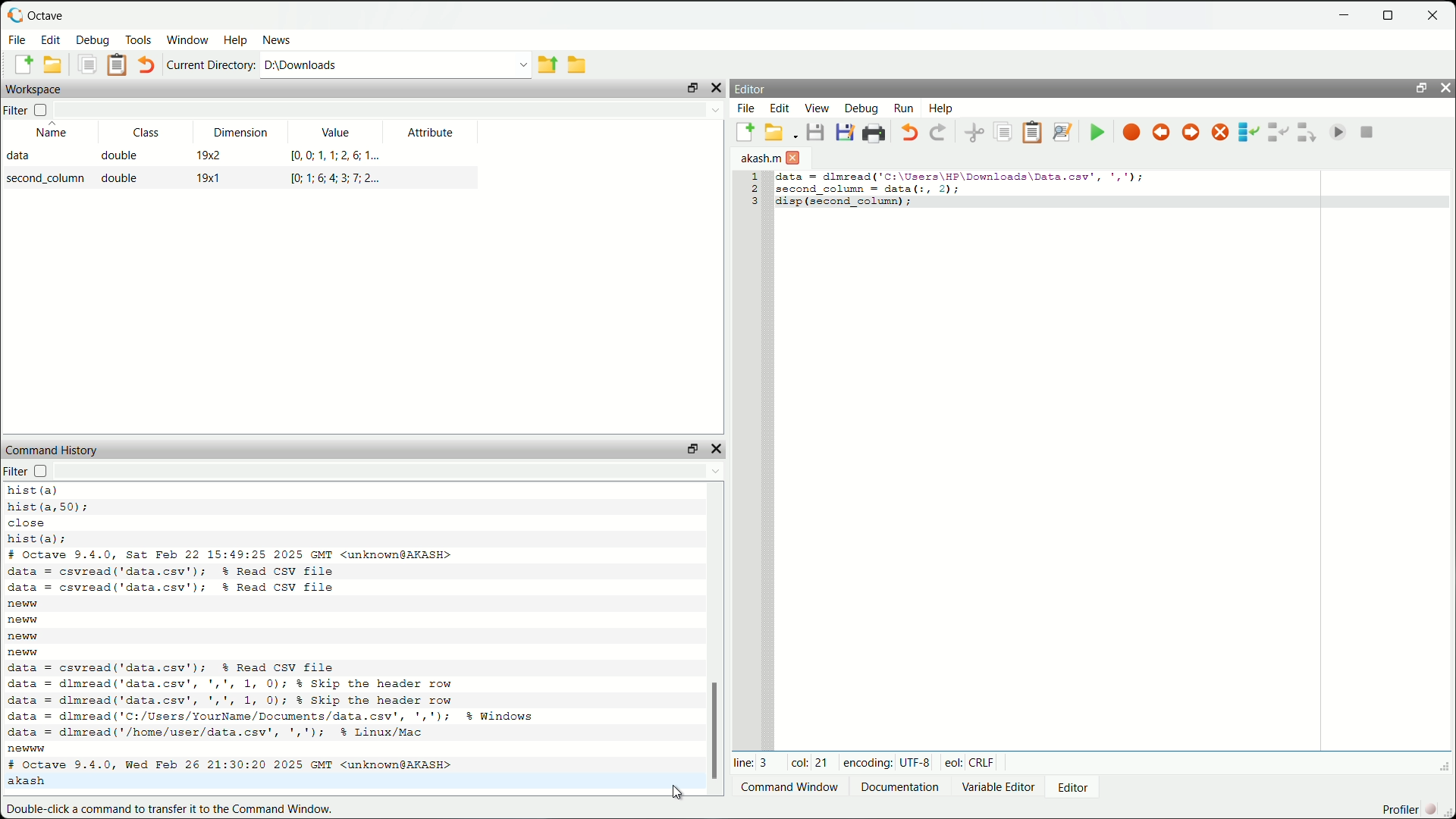 This screenshot has height=819, width=1456. What do you see at coordinates (836, 160) in the screenshot?
I see `close` at bounding box center [836, 160].